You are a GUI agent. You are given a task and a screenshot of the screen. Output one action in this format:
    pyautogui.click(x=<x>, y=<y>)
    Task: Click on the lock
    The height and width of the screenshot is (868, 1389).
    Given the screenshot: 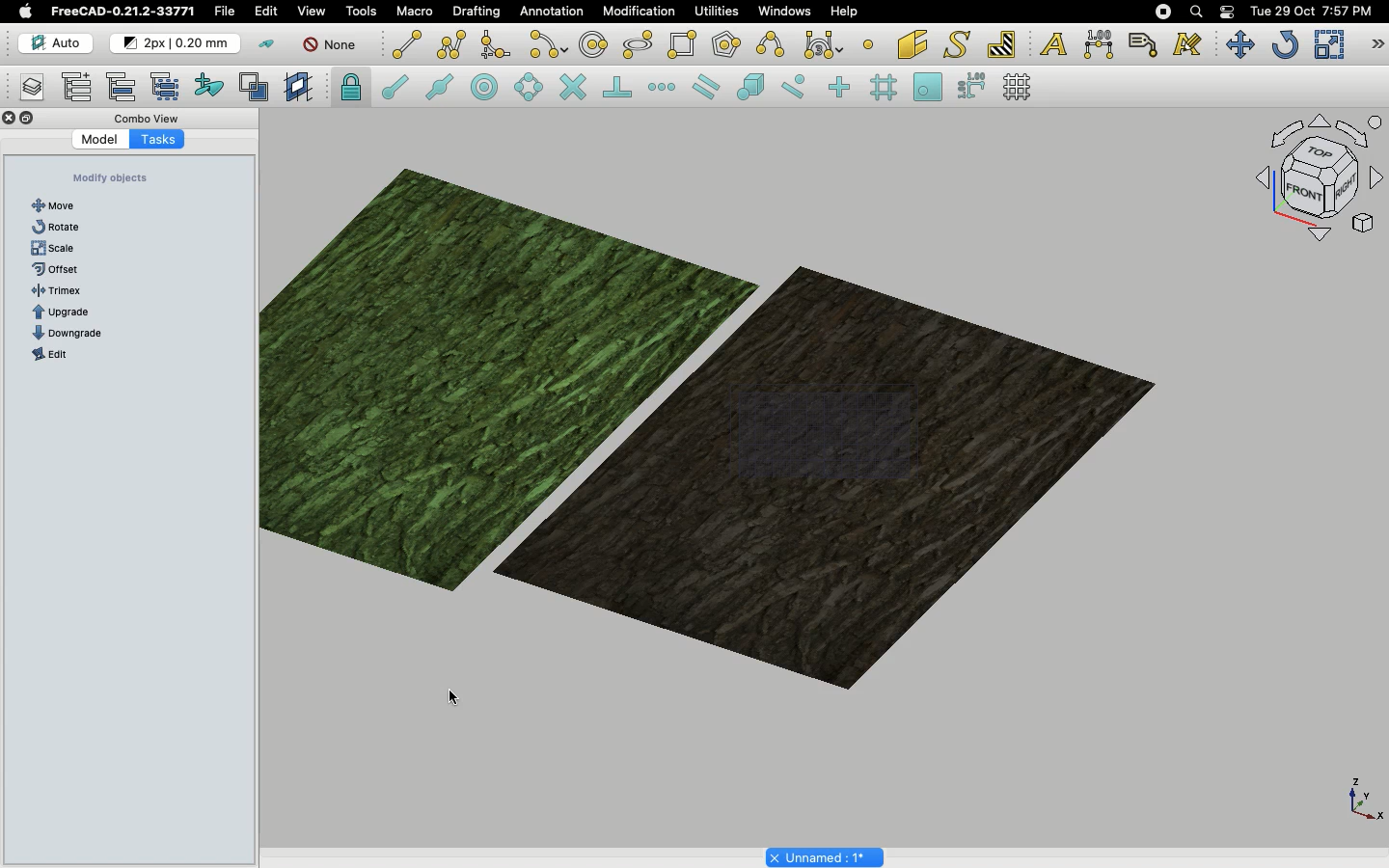 What is the action you would take?
    pyautogui.click(x=352, y=90)
    